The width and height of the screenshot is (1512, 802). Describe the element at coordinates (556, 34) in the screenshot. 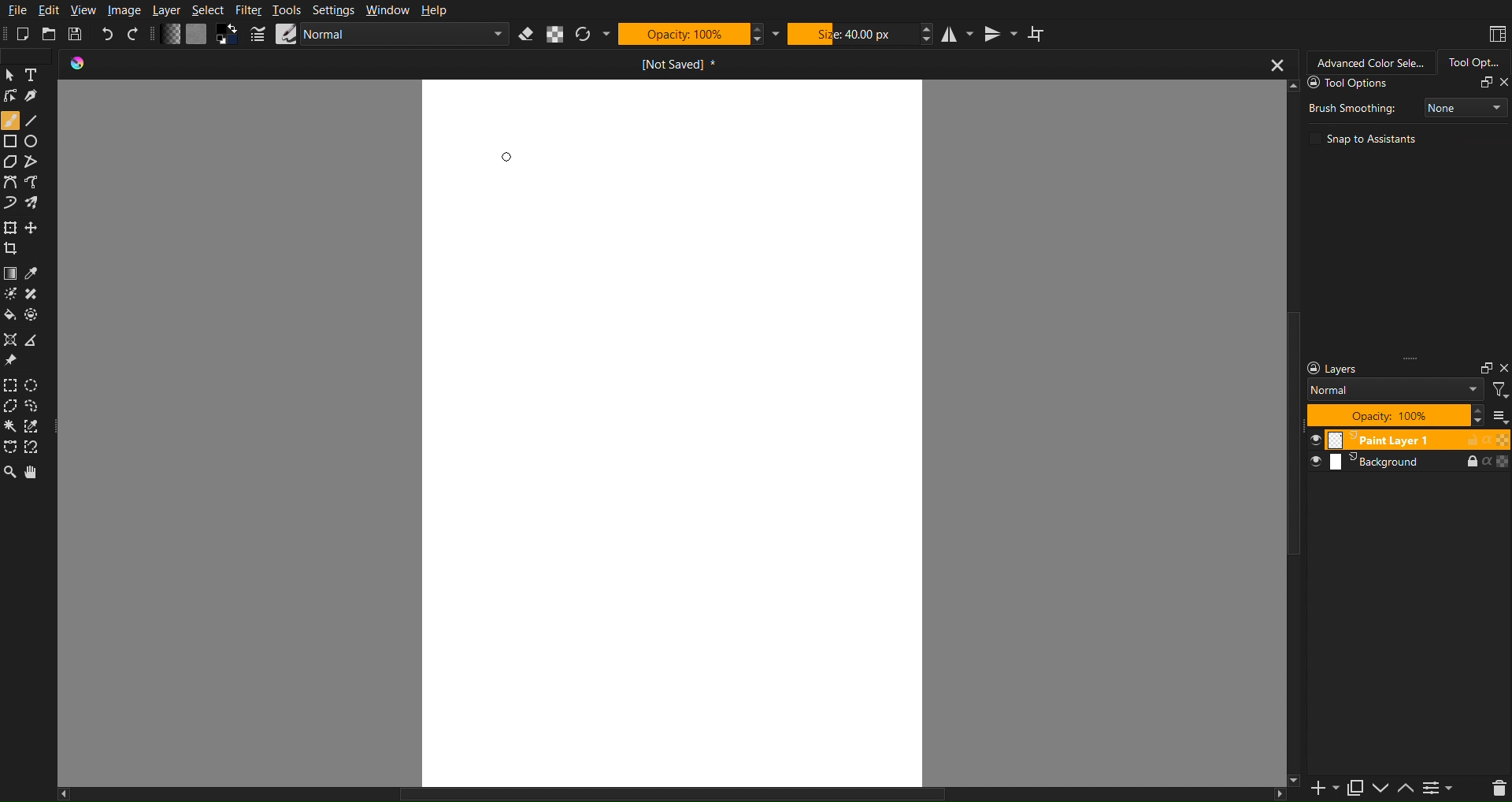

I see `Alpha` at that location.